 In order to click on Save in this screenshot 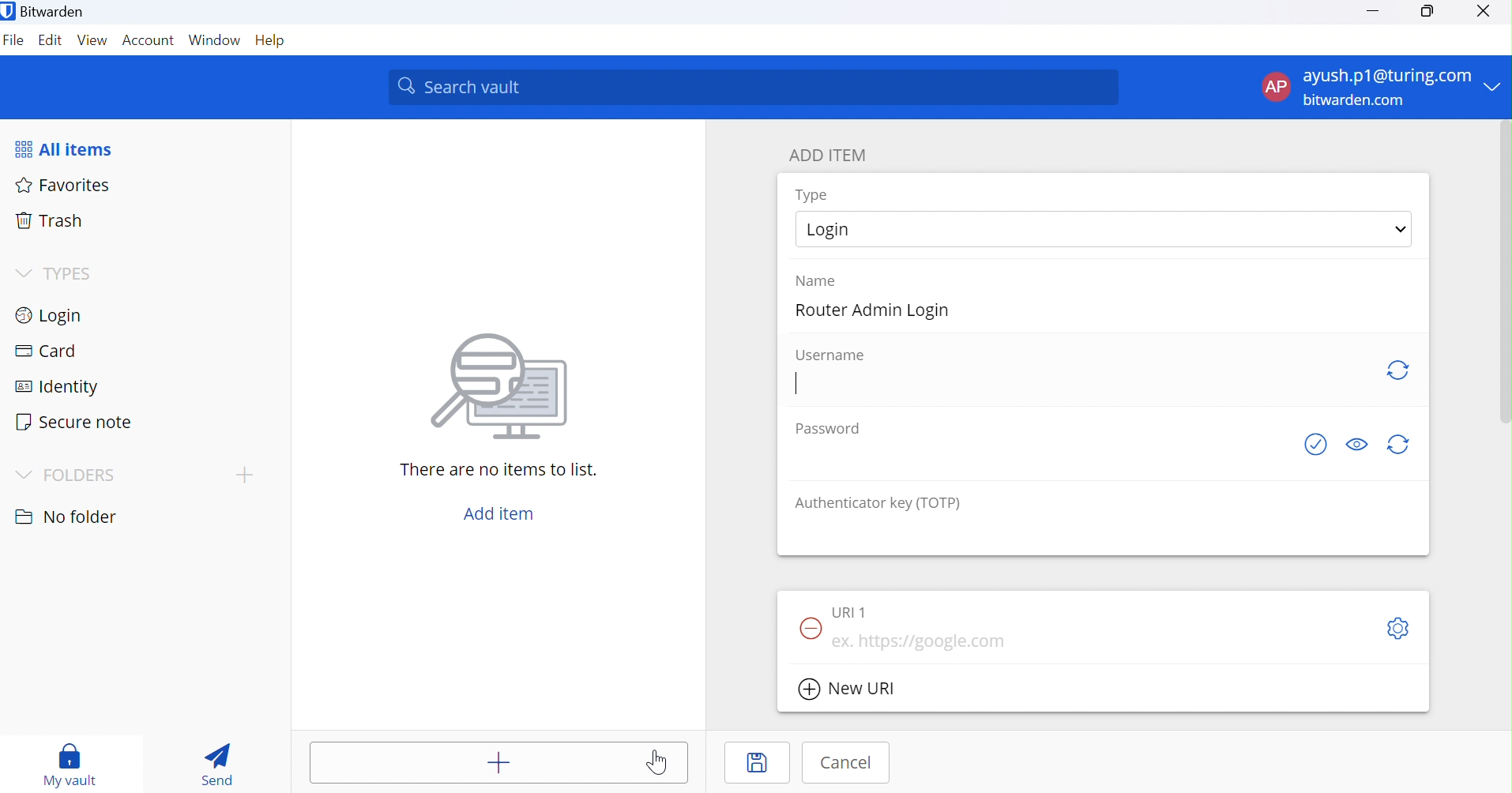, I will do `click(758, 762)`.